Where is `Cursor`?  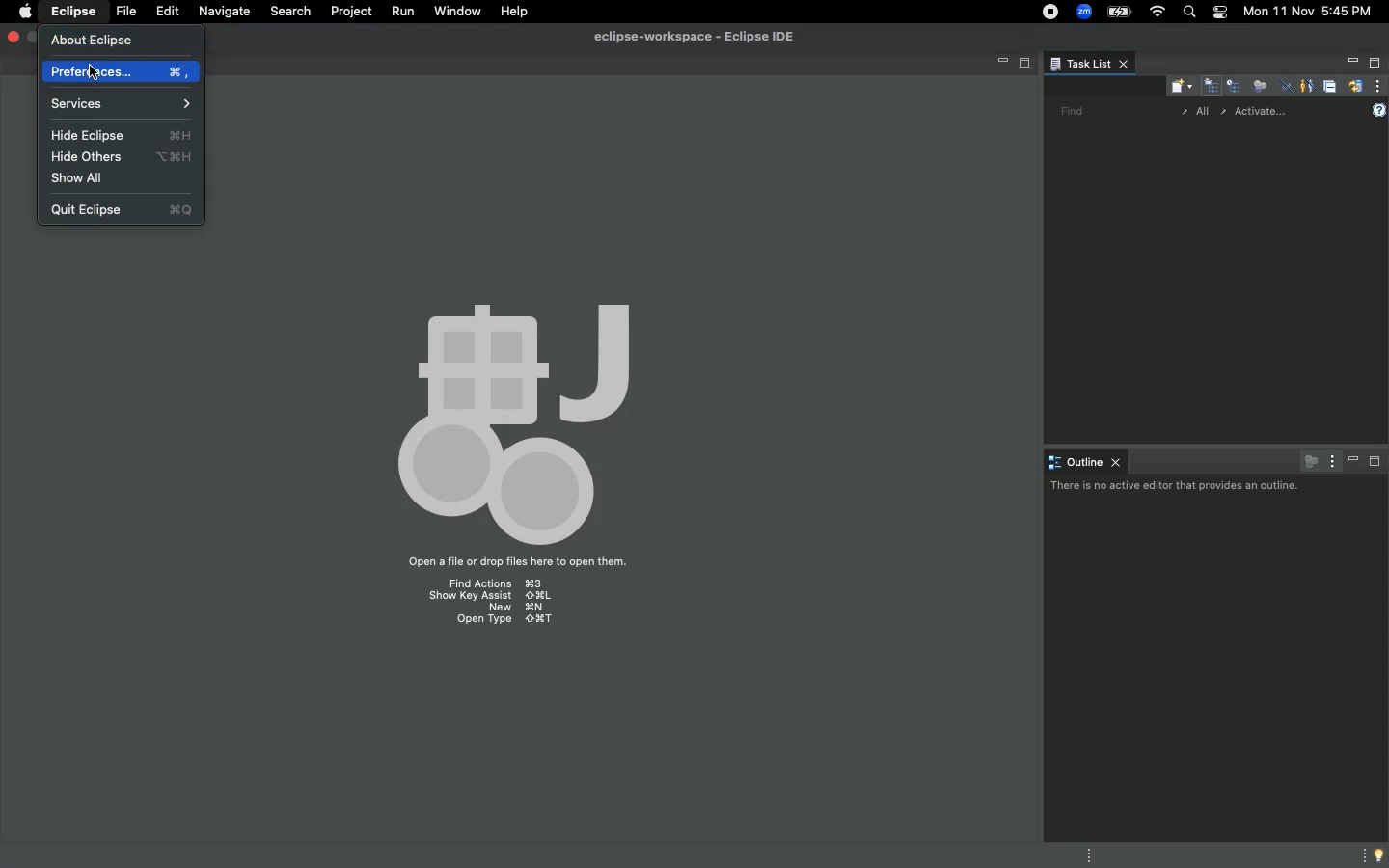
Cursor is located at coordinates (94, 75).